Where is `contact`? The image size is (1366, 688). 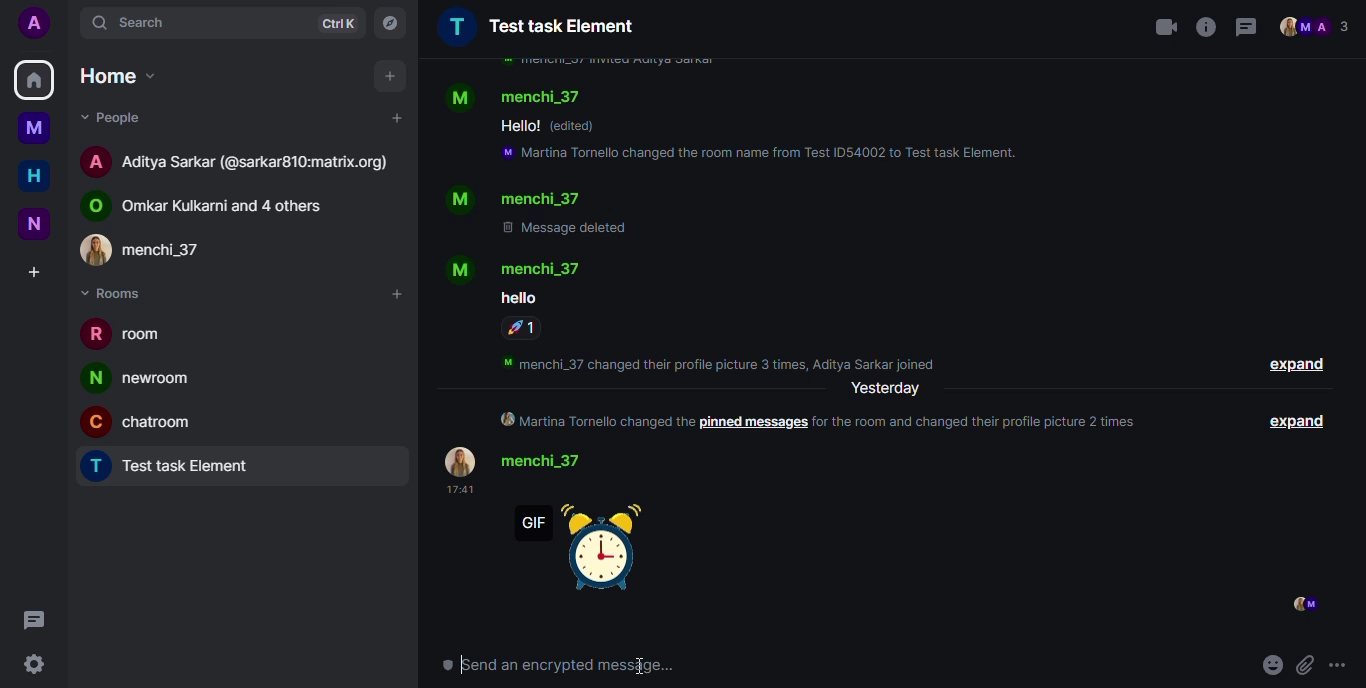
contact is located at coordinates (159, 248).